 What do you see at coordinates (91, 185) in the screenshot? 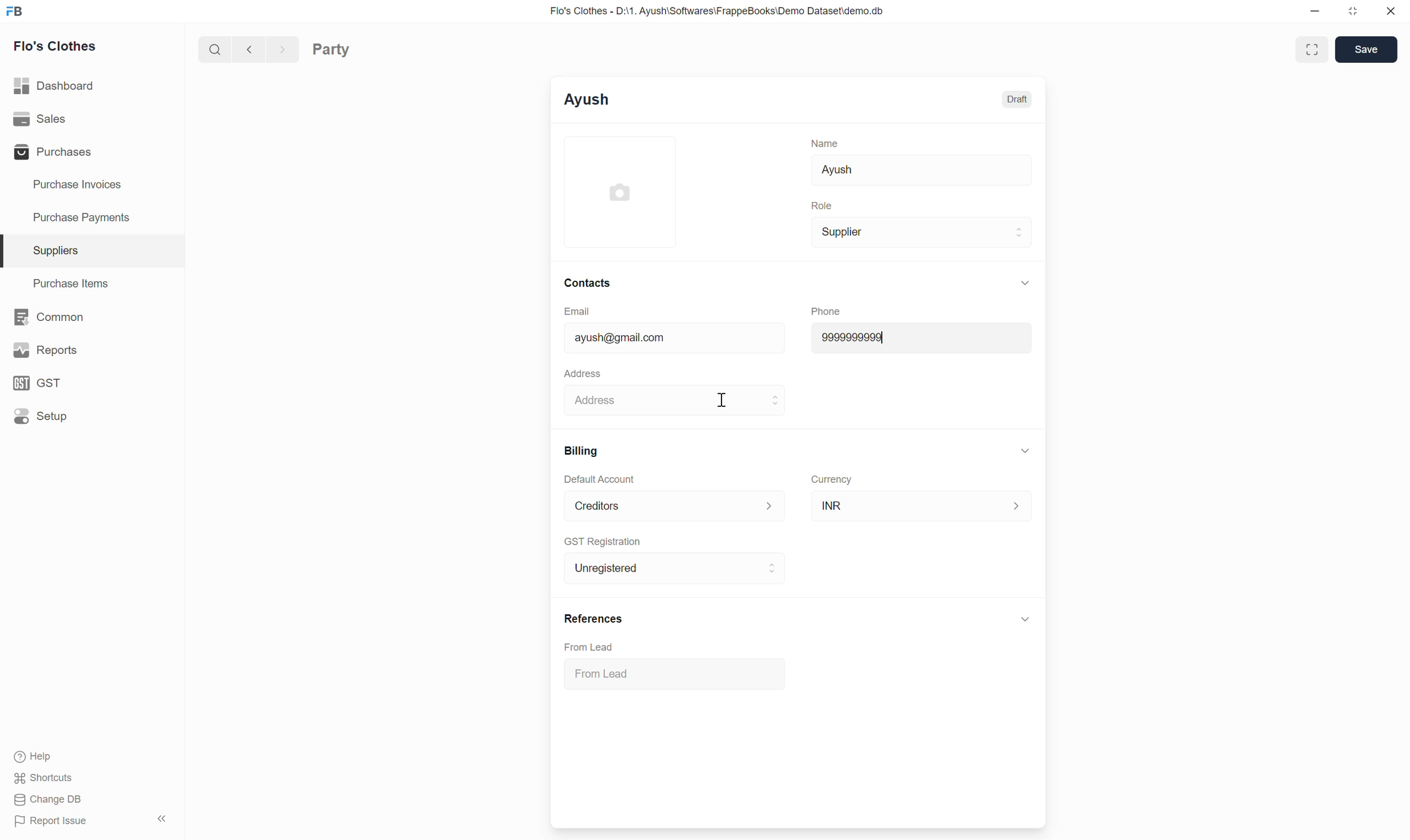
I see `Purchase Invoices` at bounding box center [91, 185].